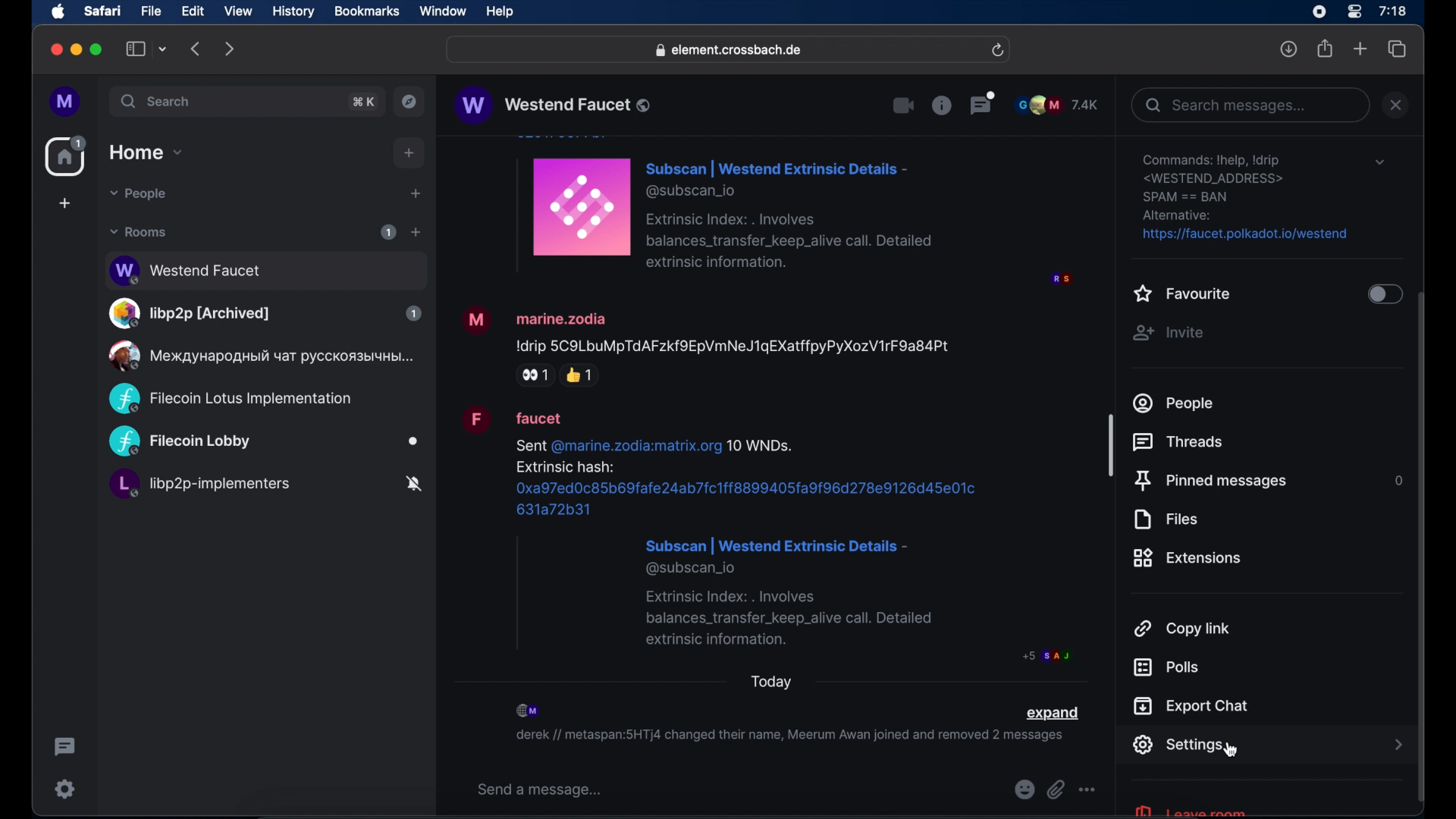  I want to click on show sidebar, so click(136, 49).